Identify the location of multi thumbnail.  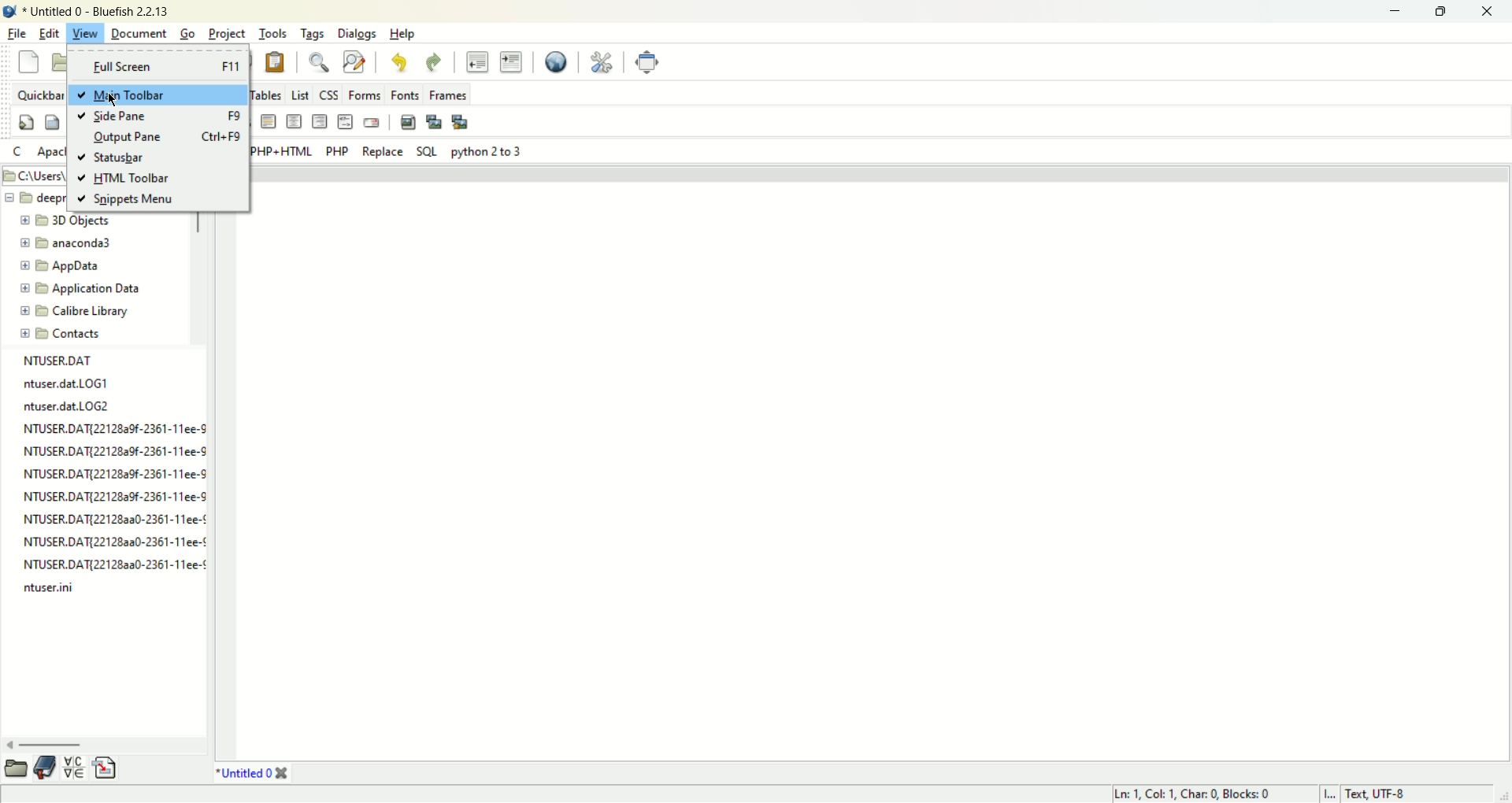
(460, 121).